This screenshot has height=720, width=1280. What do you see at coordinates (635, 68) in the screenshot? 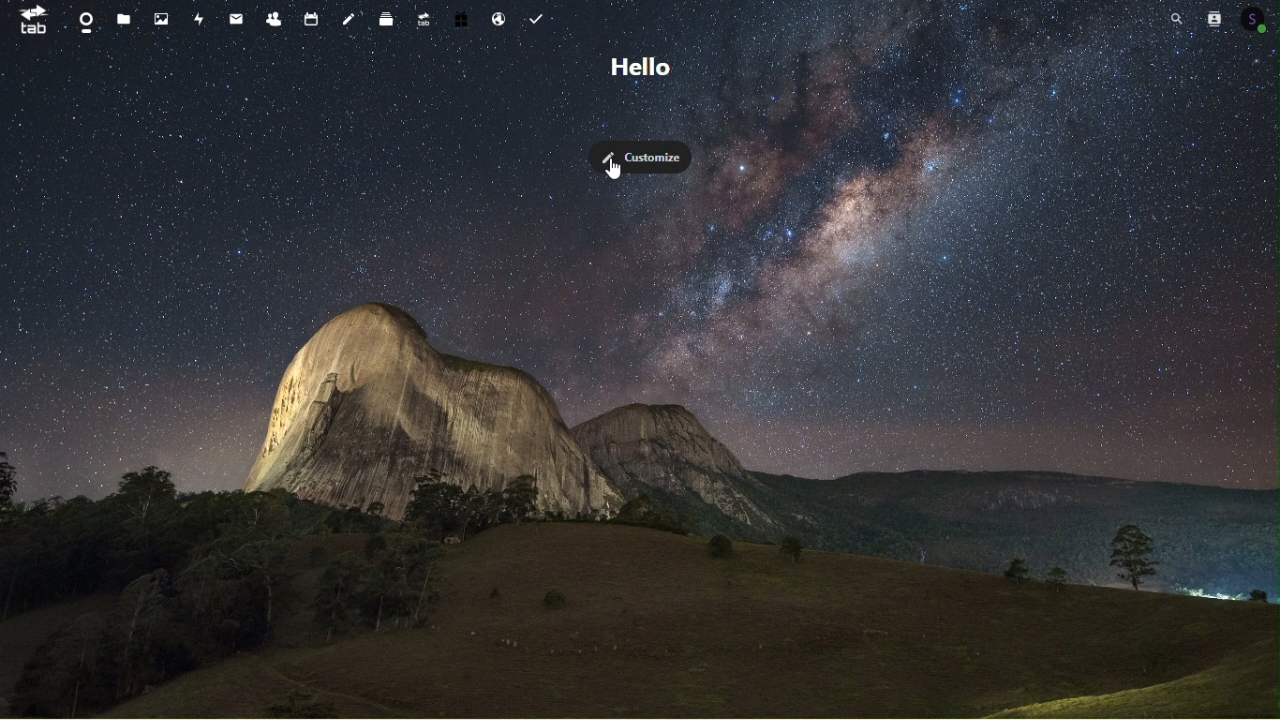
I see `hello` at bounding box center [635, 68].